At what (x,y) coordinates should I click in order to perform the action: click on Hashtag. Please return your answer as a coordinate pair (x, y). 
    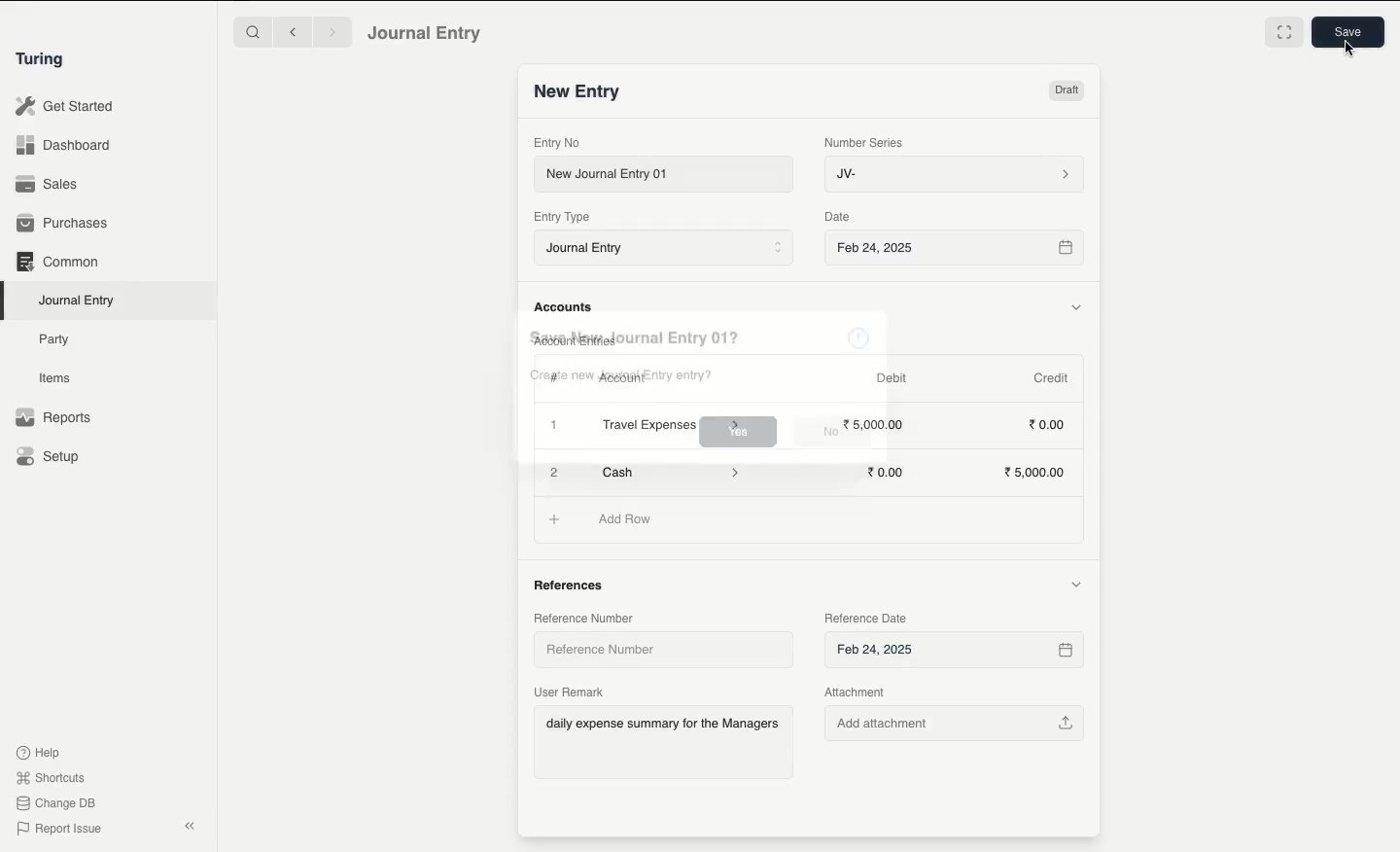
    Looking at the image, I should click on (556, 377).